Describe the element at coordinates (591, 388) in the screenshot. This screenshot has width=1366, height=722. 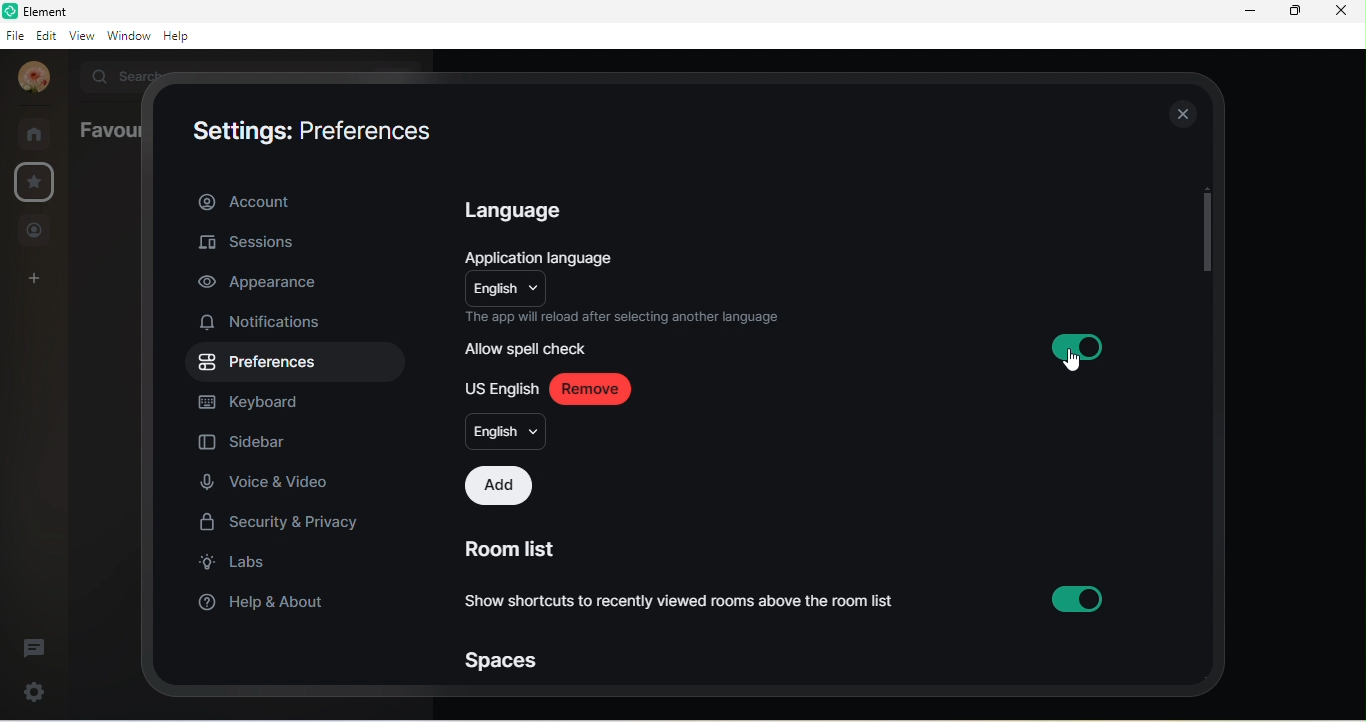
I see `remove` at that location.